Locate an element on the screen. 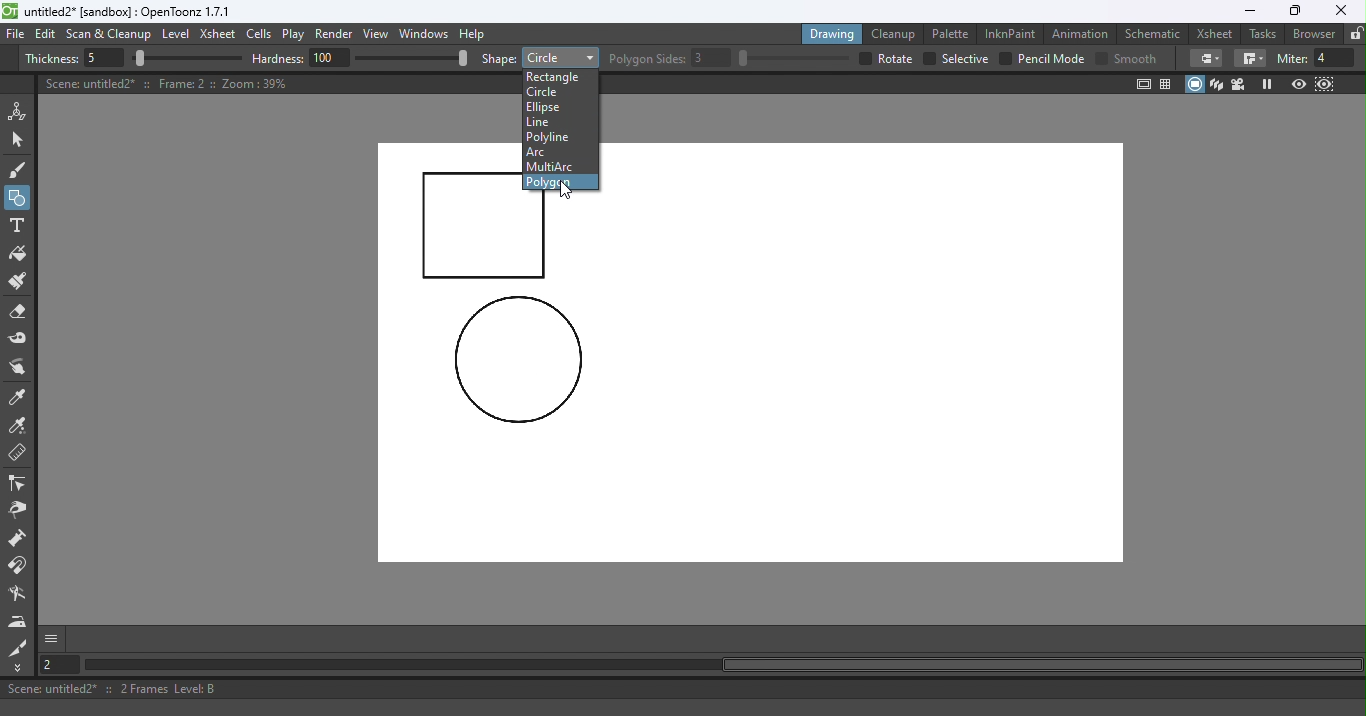  Magnet tool is located at coordinates (19, 566).